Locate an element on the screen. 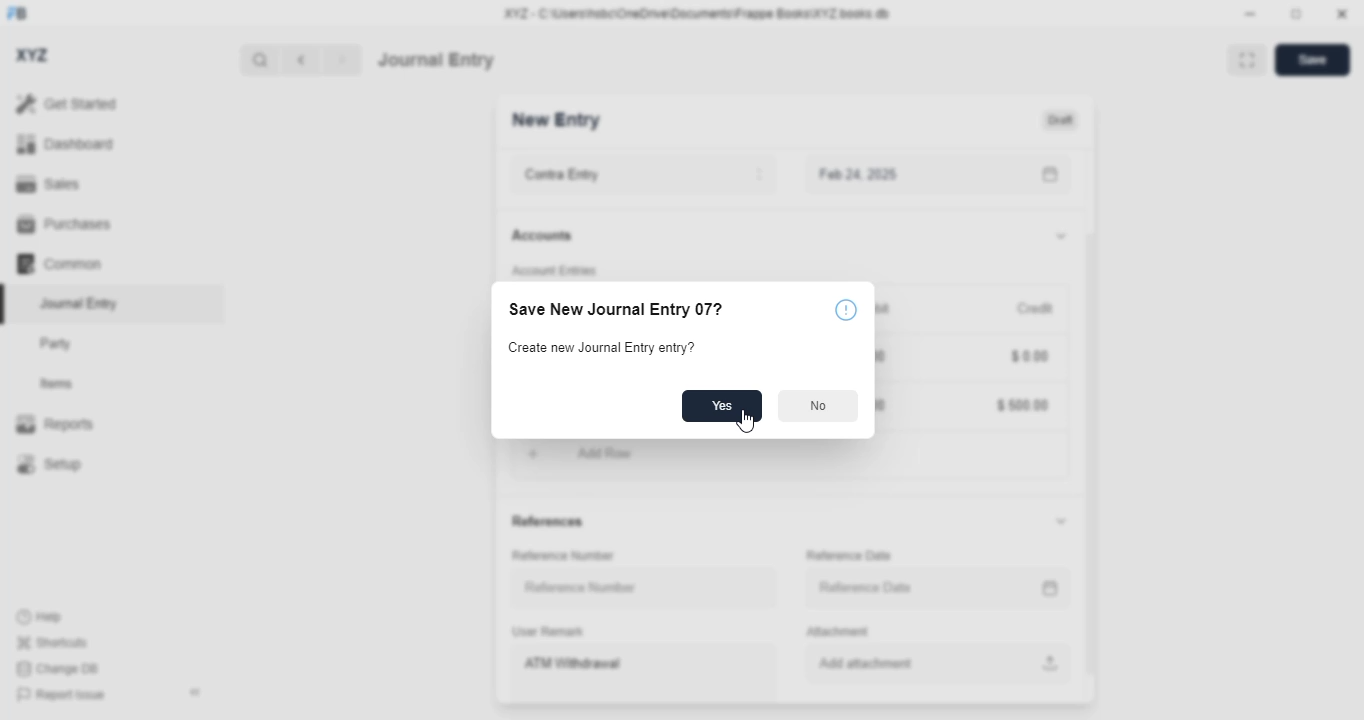  cursor is located at coordinates (745, 422).